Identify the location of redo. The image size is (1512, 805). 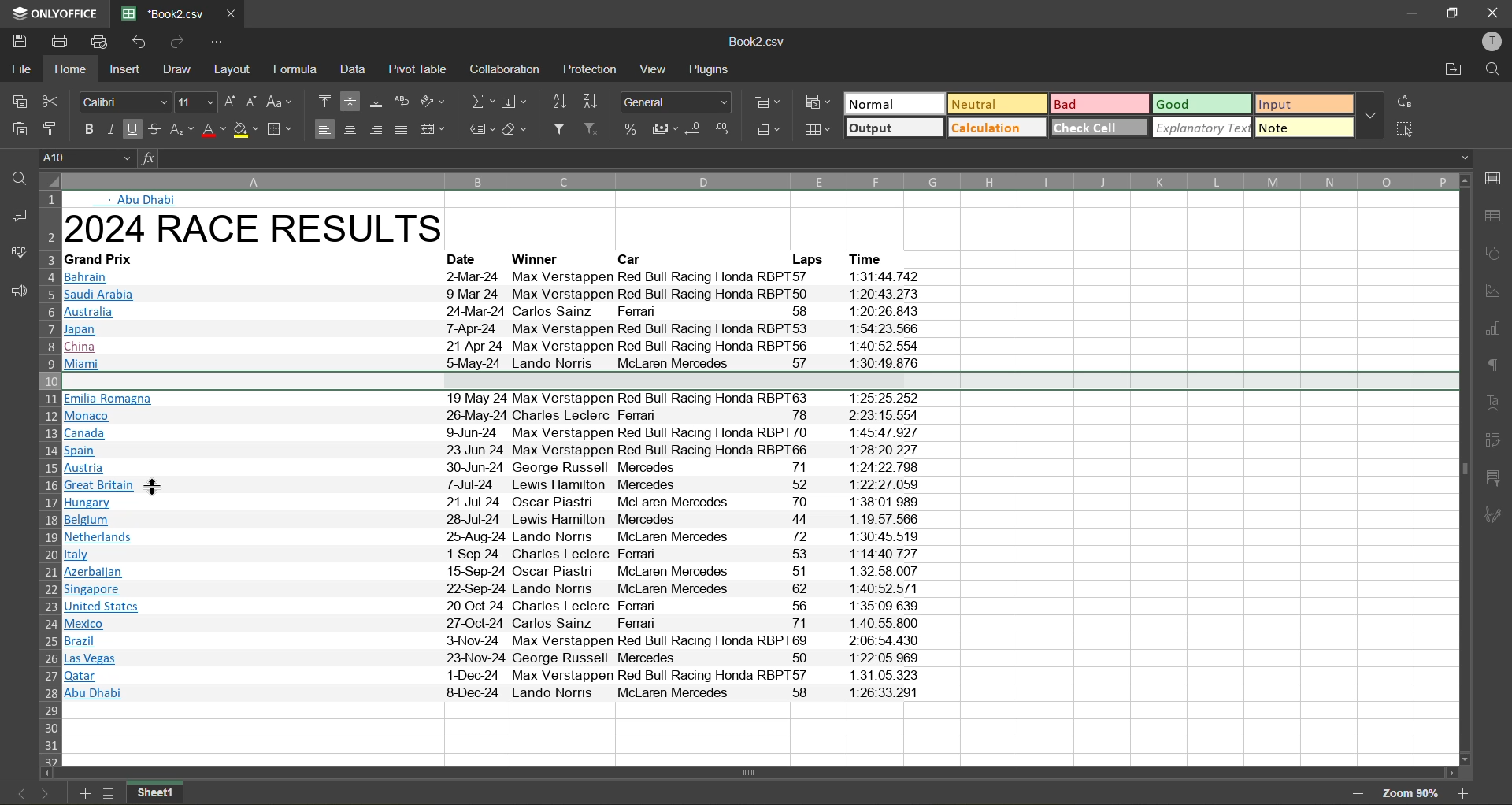
(178, 44).